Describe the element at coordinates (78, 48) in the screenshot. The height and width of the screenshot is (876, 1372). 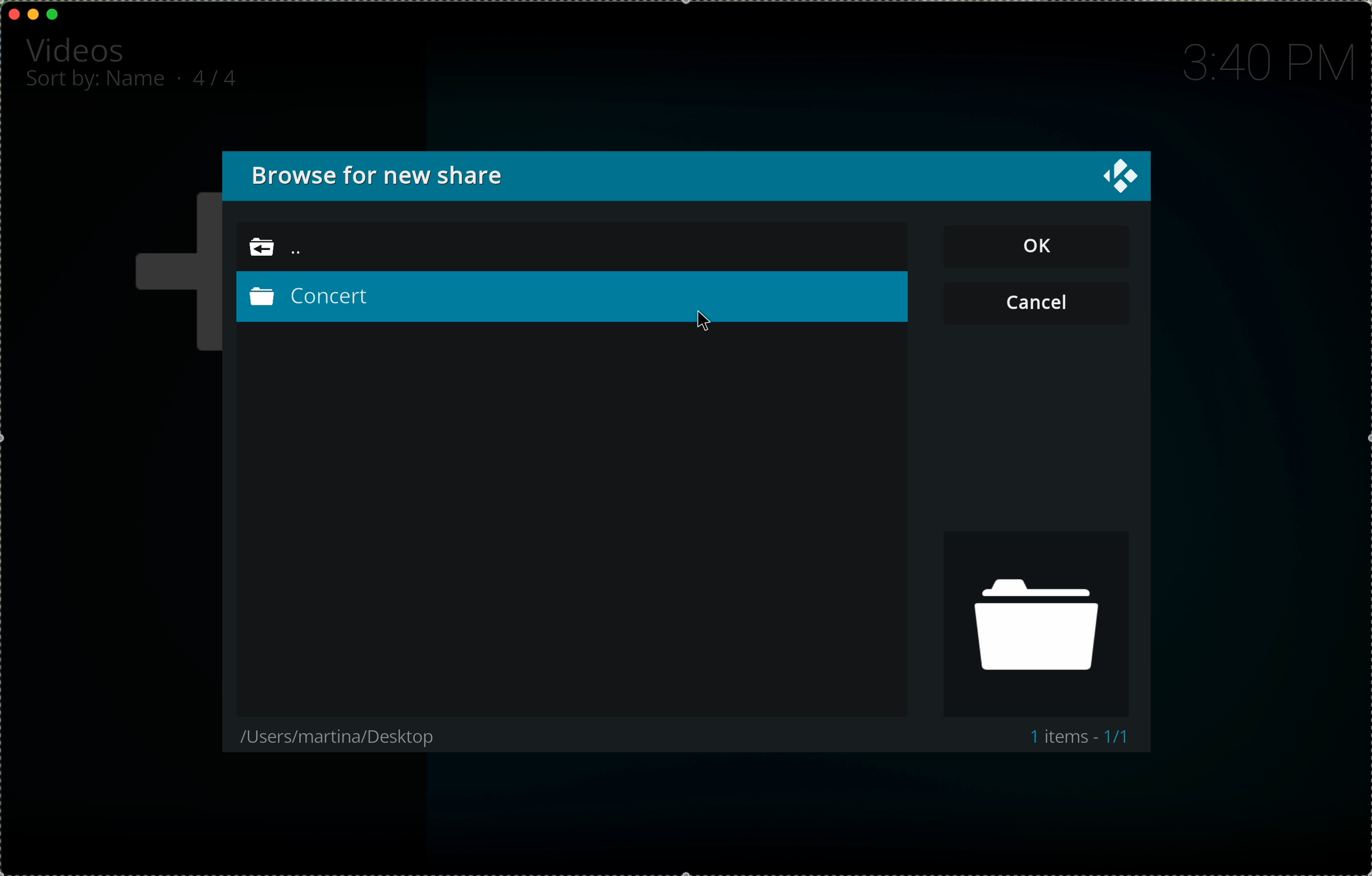
I see `videos` at that location.